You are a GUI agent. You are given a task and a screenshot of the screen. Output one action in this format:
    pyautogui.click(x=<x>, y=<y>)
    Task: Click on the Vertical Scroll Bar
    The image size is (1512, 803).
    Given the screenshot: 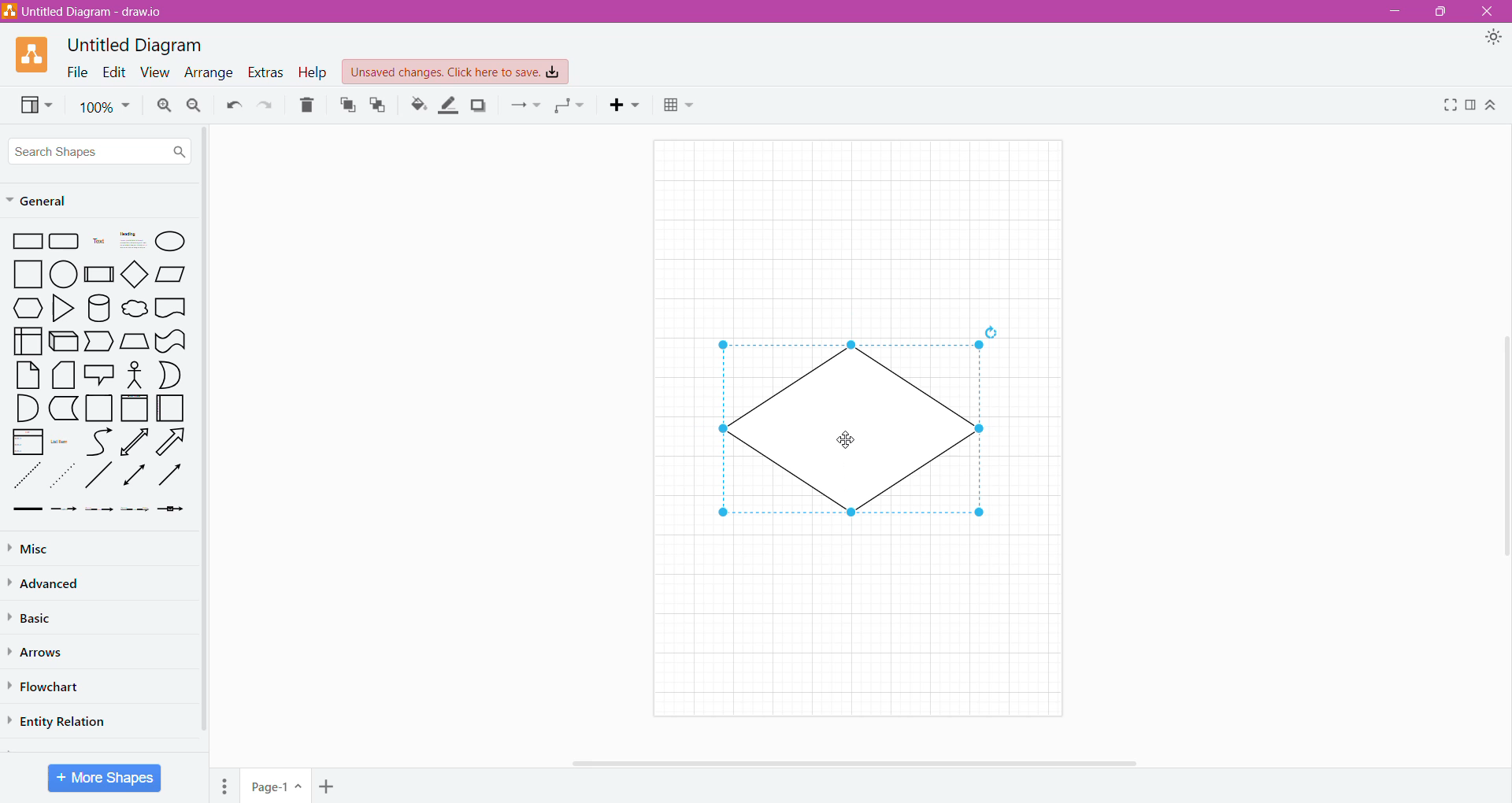 What is the action you would take?
    pyautogui.click(x=204, y=434)
    